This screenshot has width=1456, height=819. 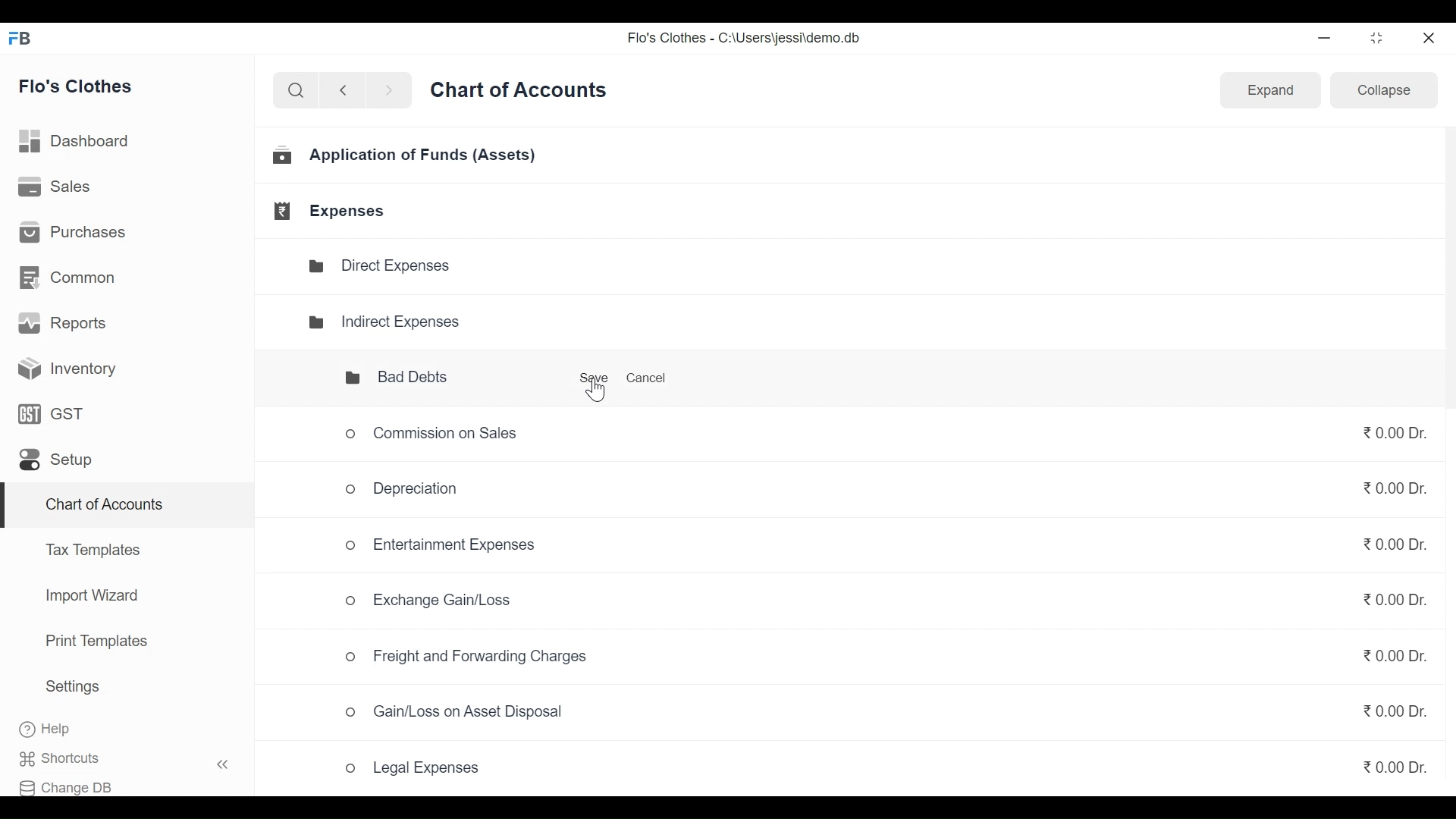 I want to click on Expand, so click(x=1271, y=91).